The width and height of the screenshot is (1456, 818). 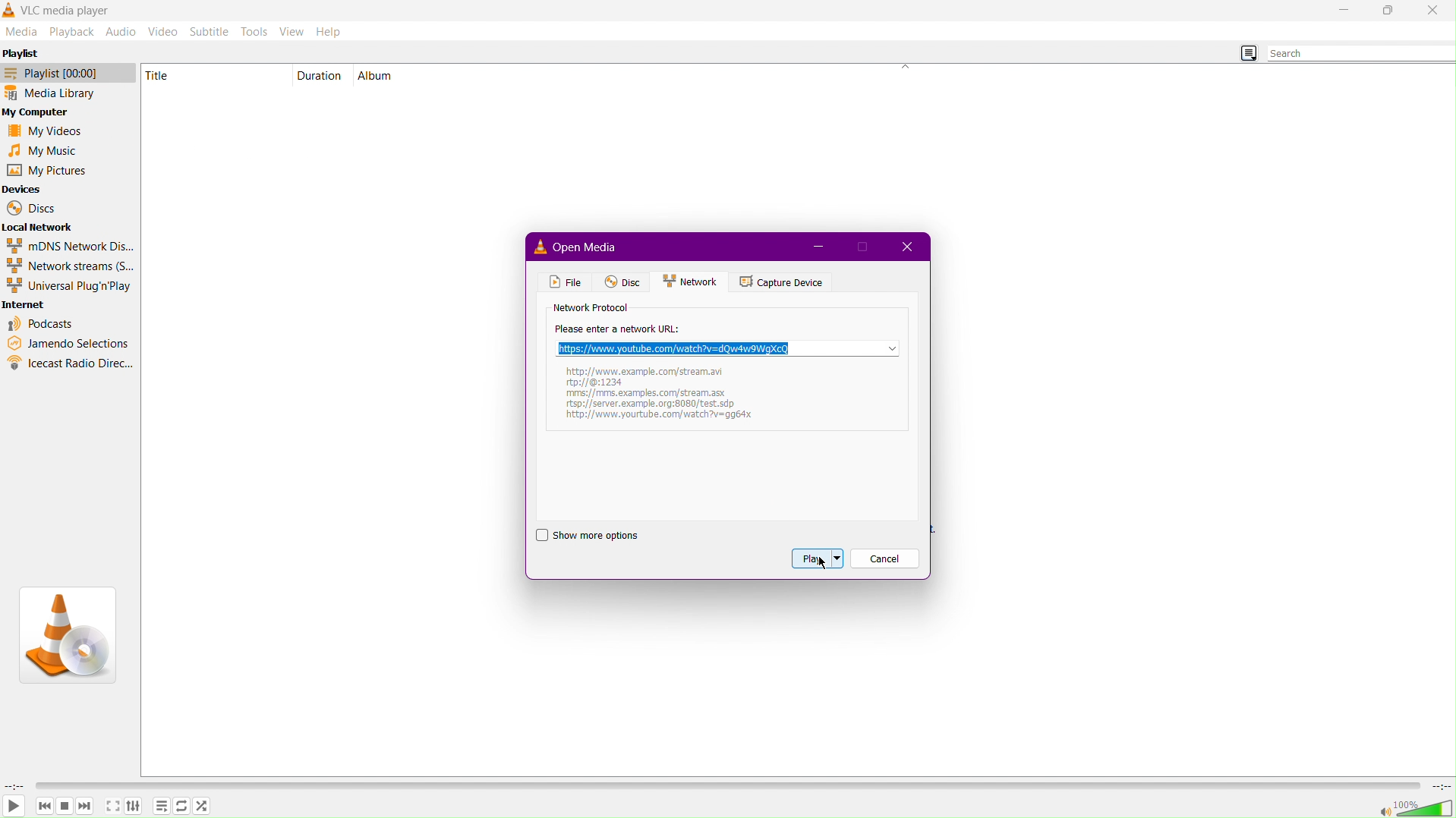 What do you see at coordinates (164, 30) in the screenshot?
I see `Video` at bounding box center [164, 30].